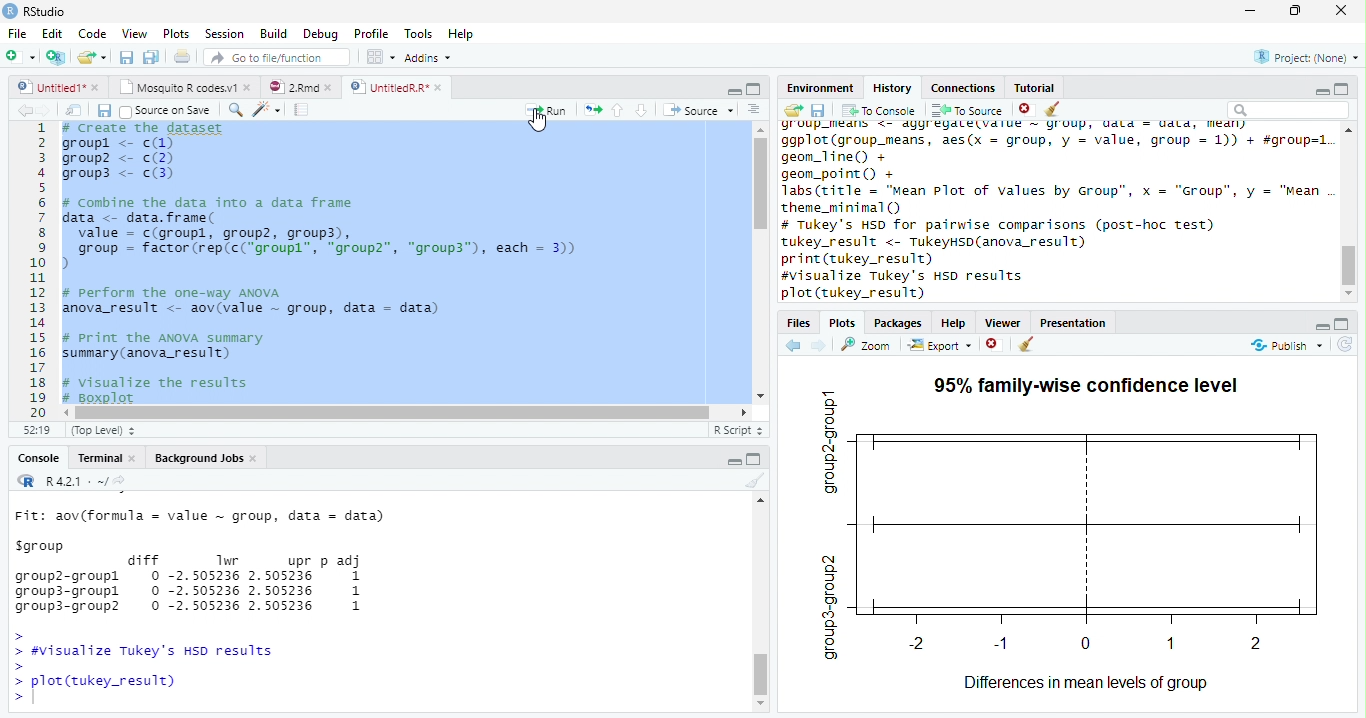 Image resolution: width=1366 pixels, height=718 pixels. Describe the element at coordinates (92, 57) in the screenshot. I see `Open an existing file` at that location.